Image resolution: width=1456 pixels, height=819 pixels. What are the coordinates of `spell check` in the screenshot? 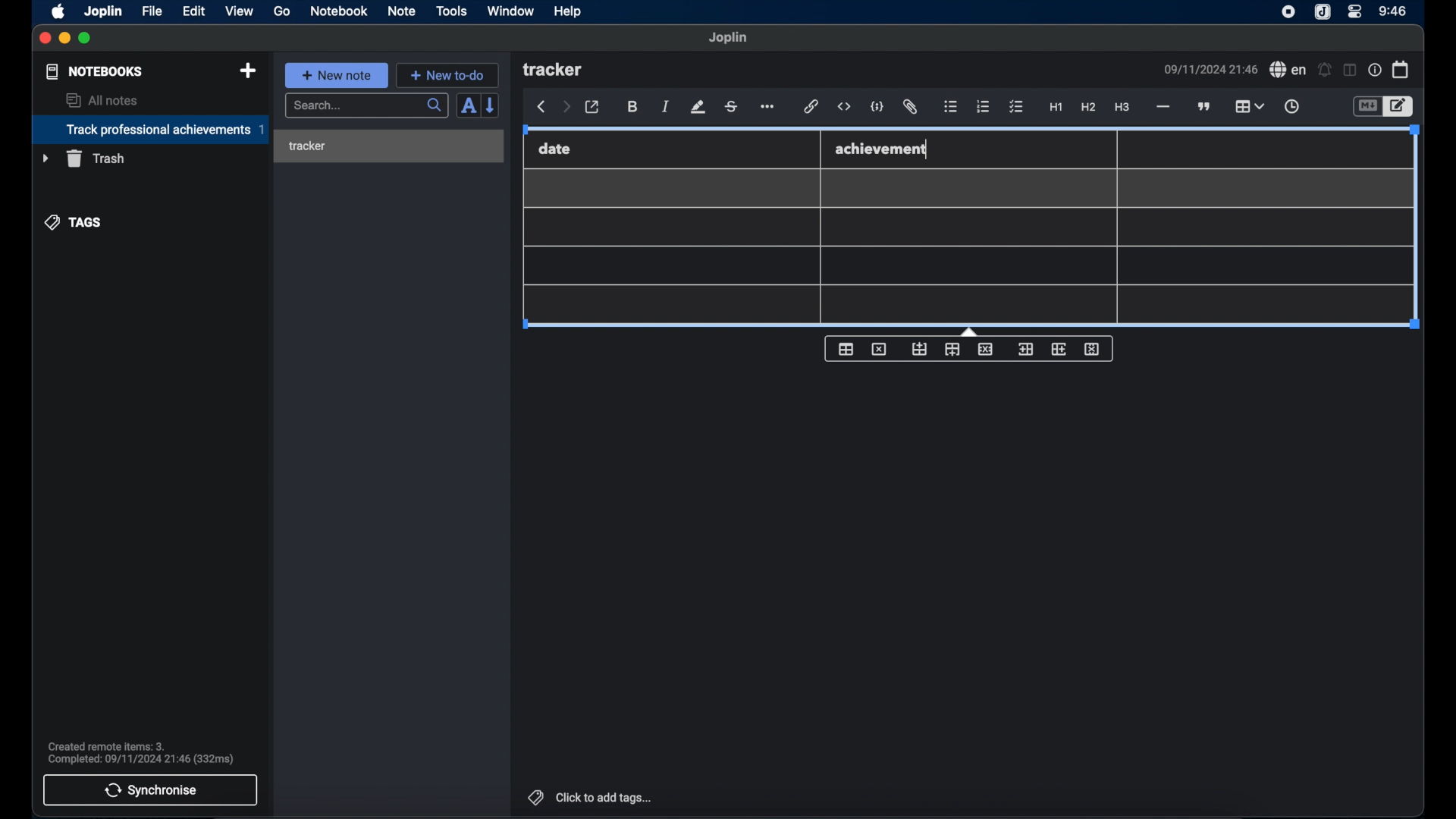 It's located at (1288, 70).